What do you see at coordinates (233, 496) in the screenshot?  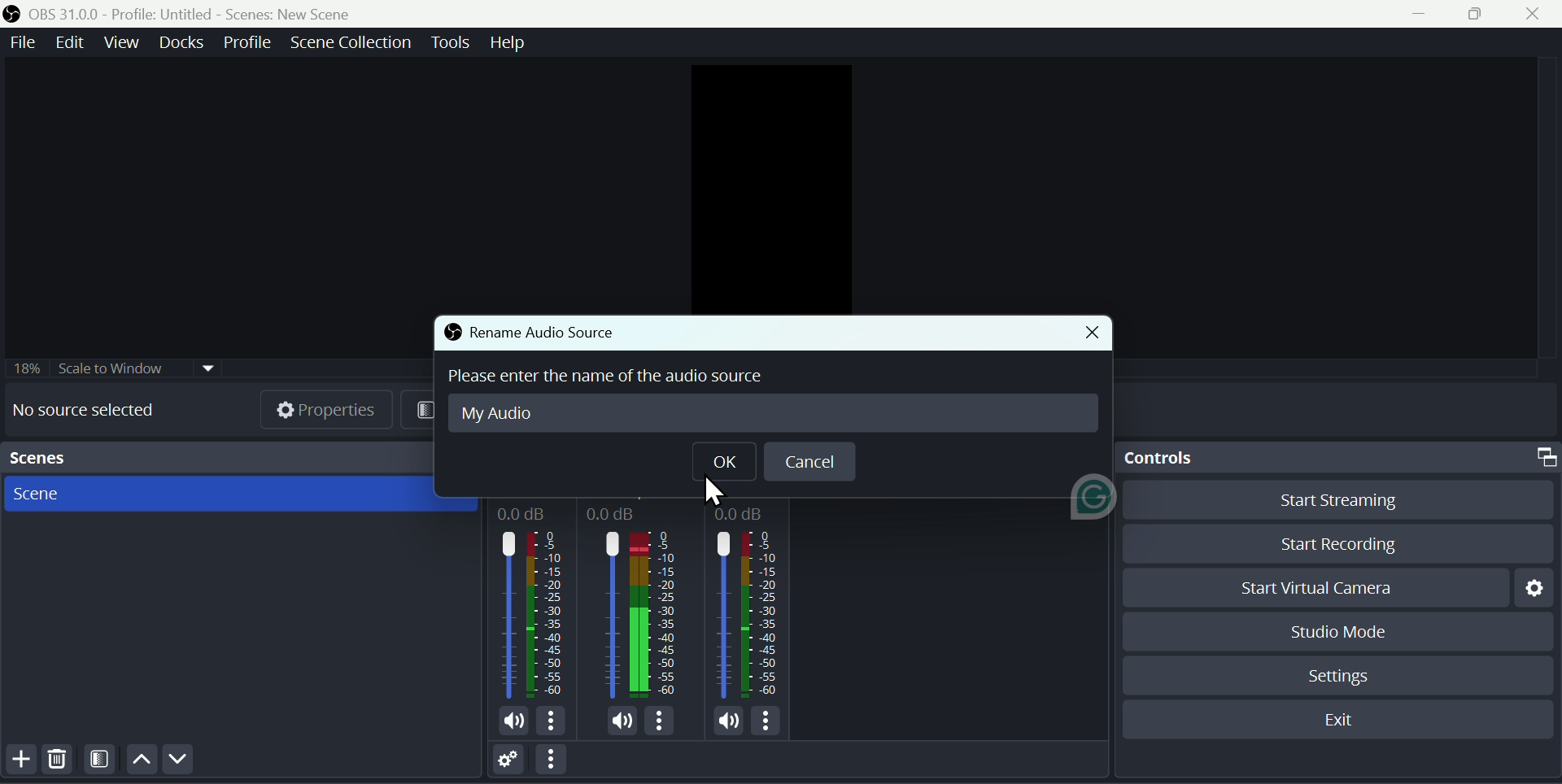 I see `Scenes` at bounding box center [233, 496].